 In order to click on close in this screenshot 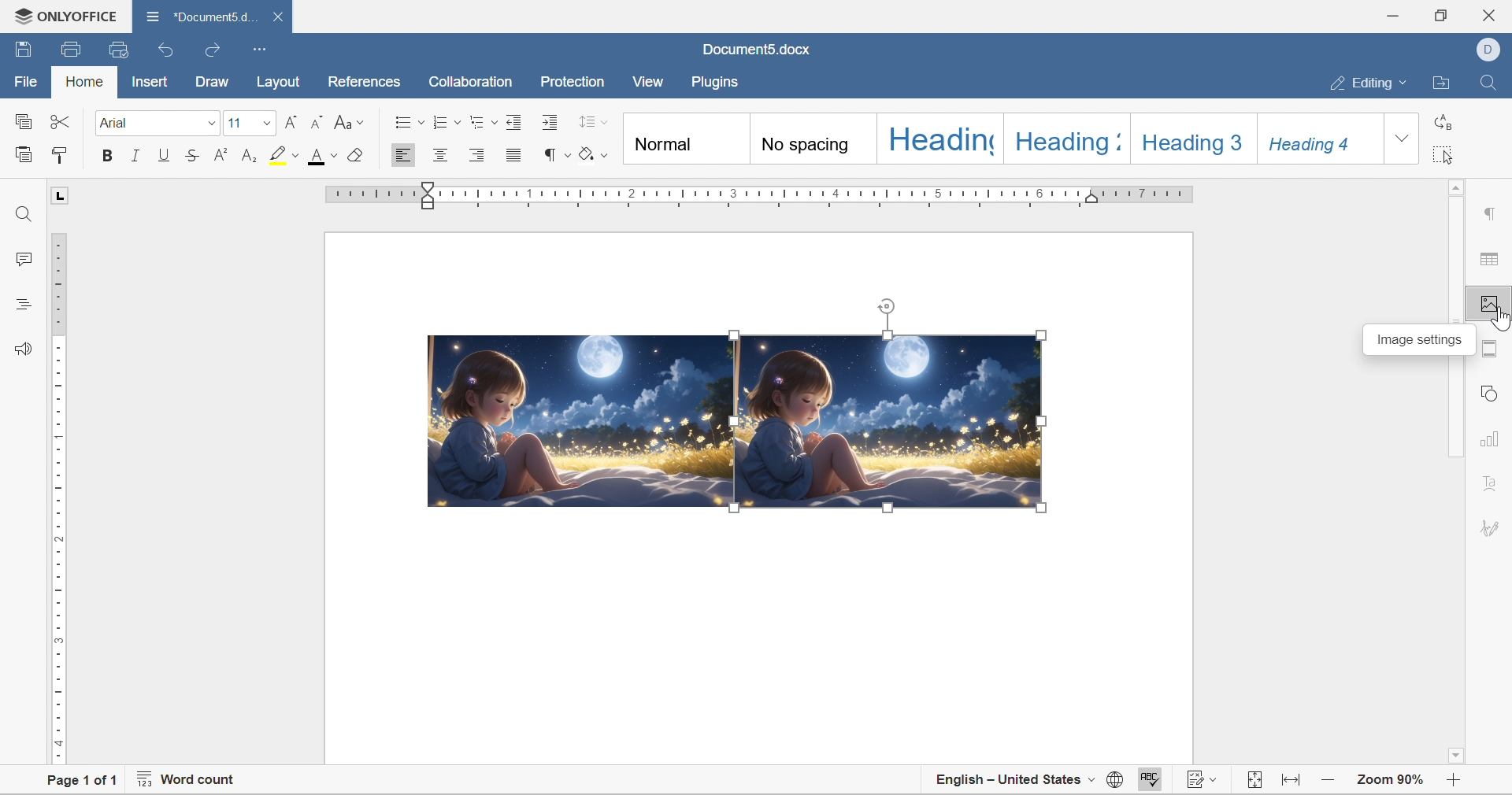, I will do `click(276, 17)`.